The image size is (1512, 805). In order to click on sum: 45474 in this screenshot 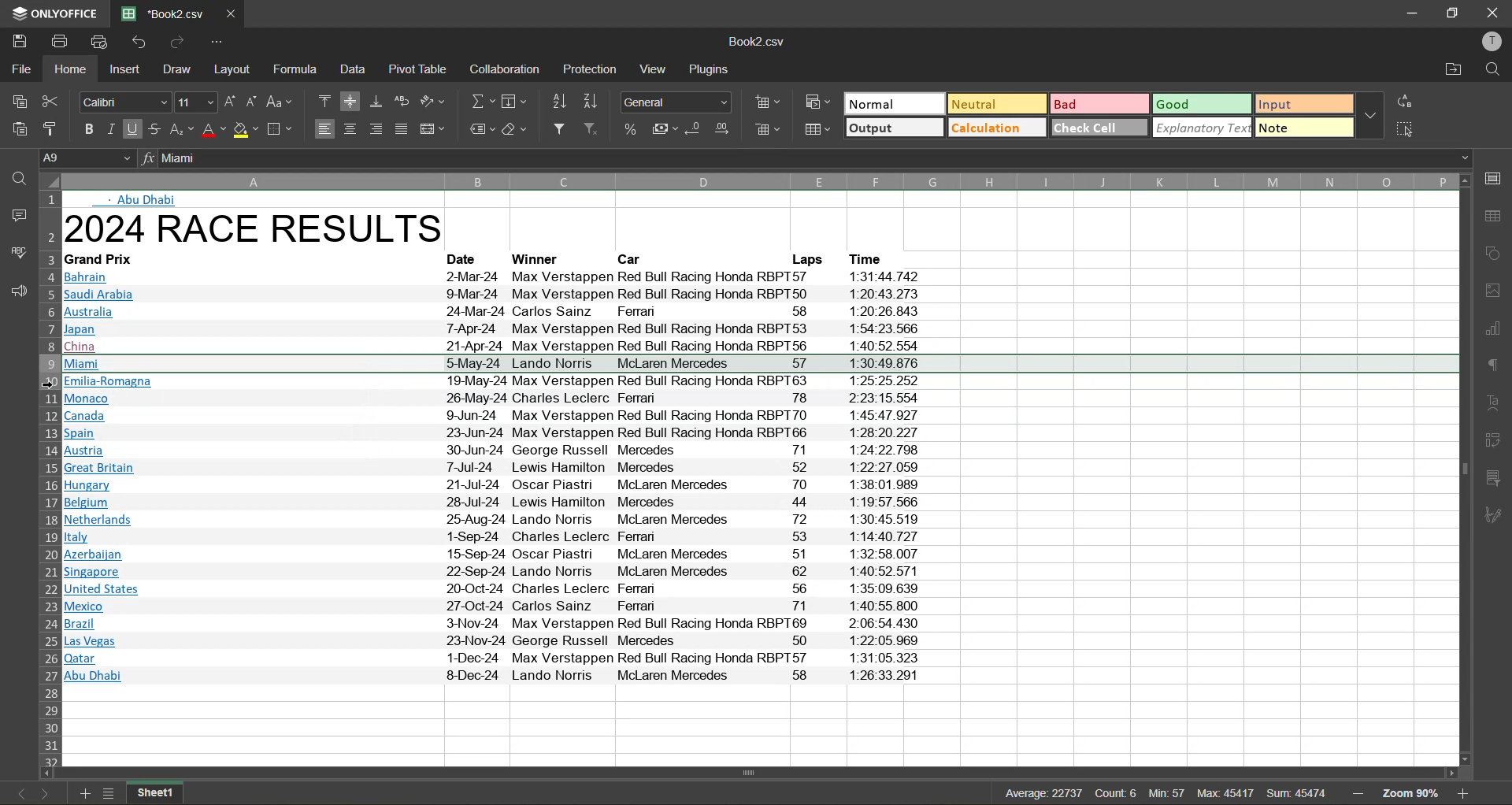, I will do `click(1299, 794)`.